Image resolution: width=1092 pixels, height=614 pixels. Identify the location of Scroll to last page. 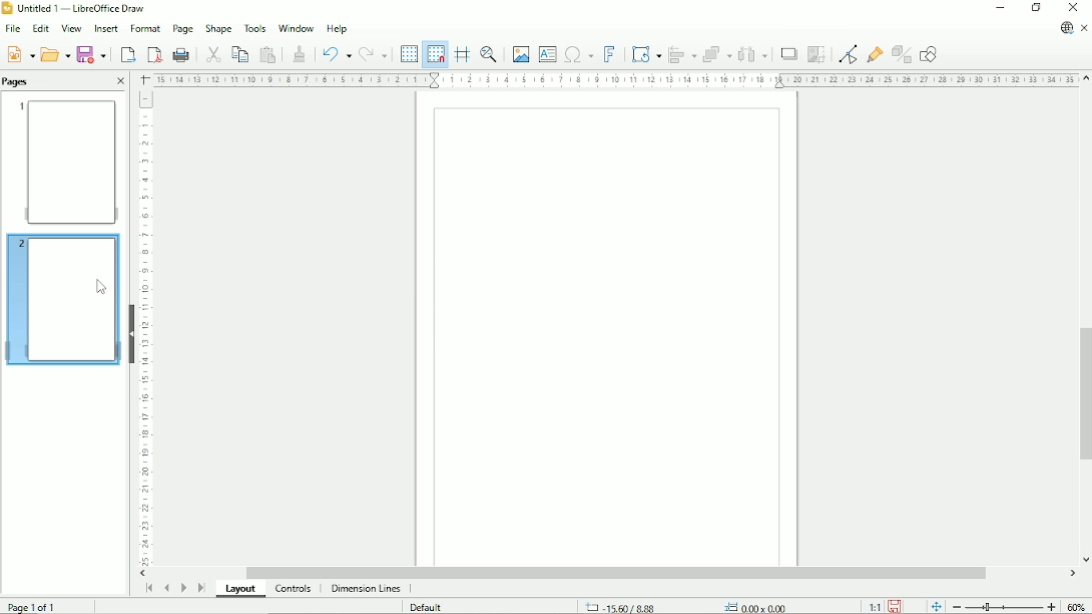
(202, 587).